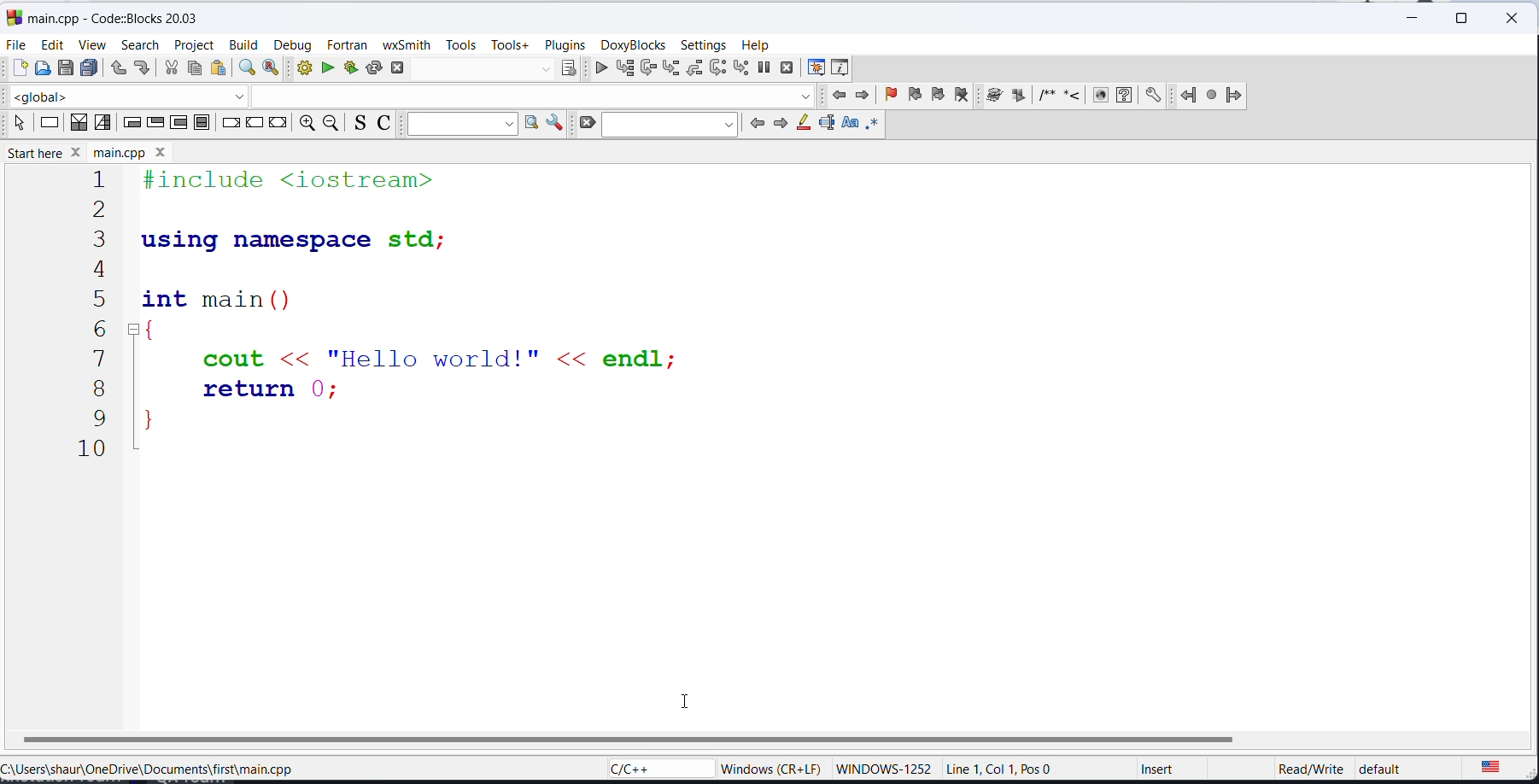 The height and width of the screenshot is (784, 1539). What do you see at coordinates (289, 44) in the screenshot?
I see `debug` at bounding box center [289, 44].